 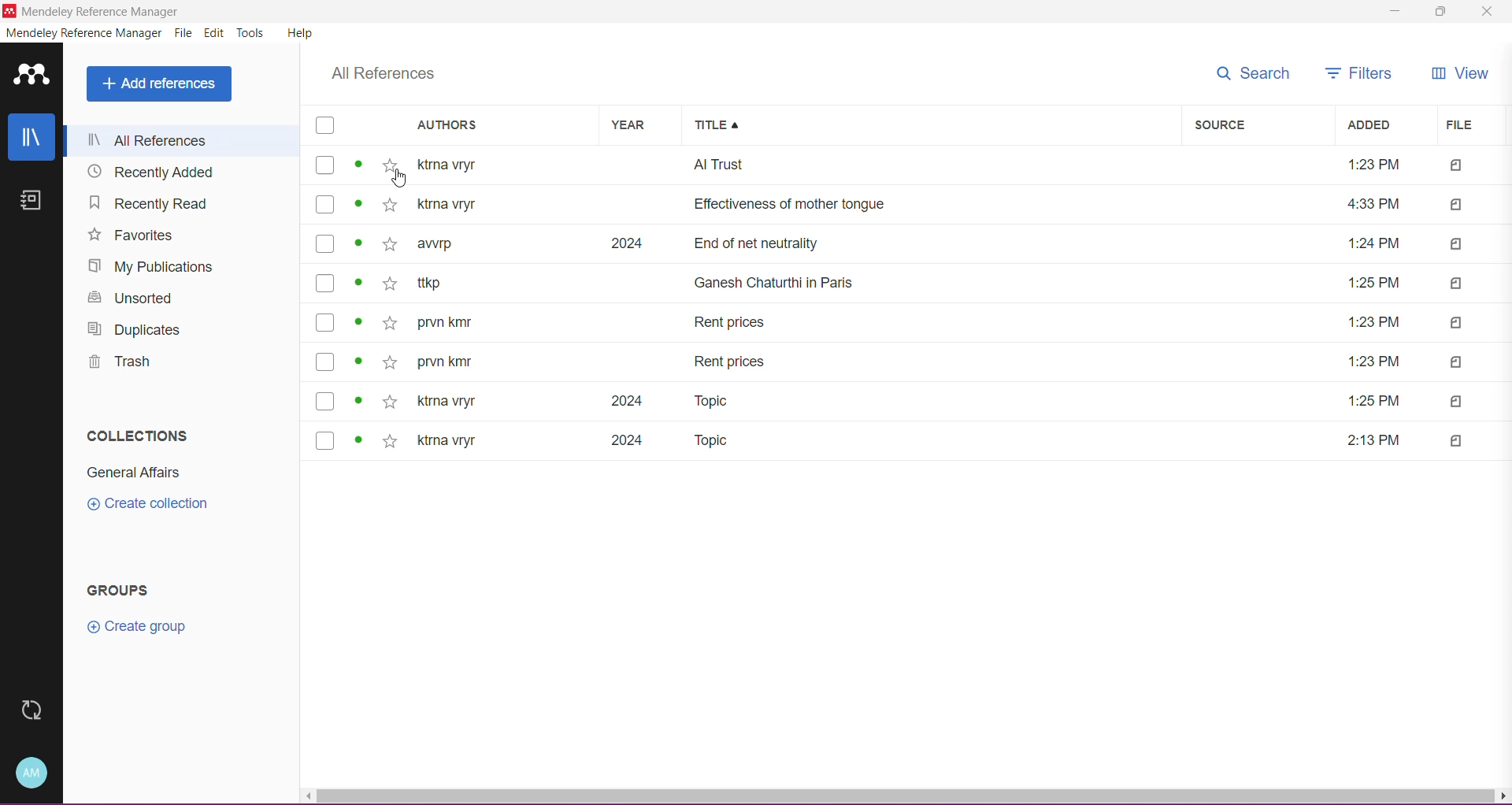 What do you see at coordinates (912, 402) in the screenshot?
I see `ktrna vryr 2024 Topic 1:25 PM` at bounding box center [912, 402].